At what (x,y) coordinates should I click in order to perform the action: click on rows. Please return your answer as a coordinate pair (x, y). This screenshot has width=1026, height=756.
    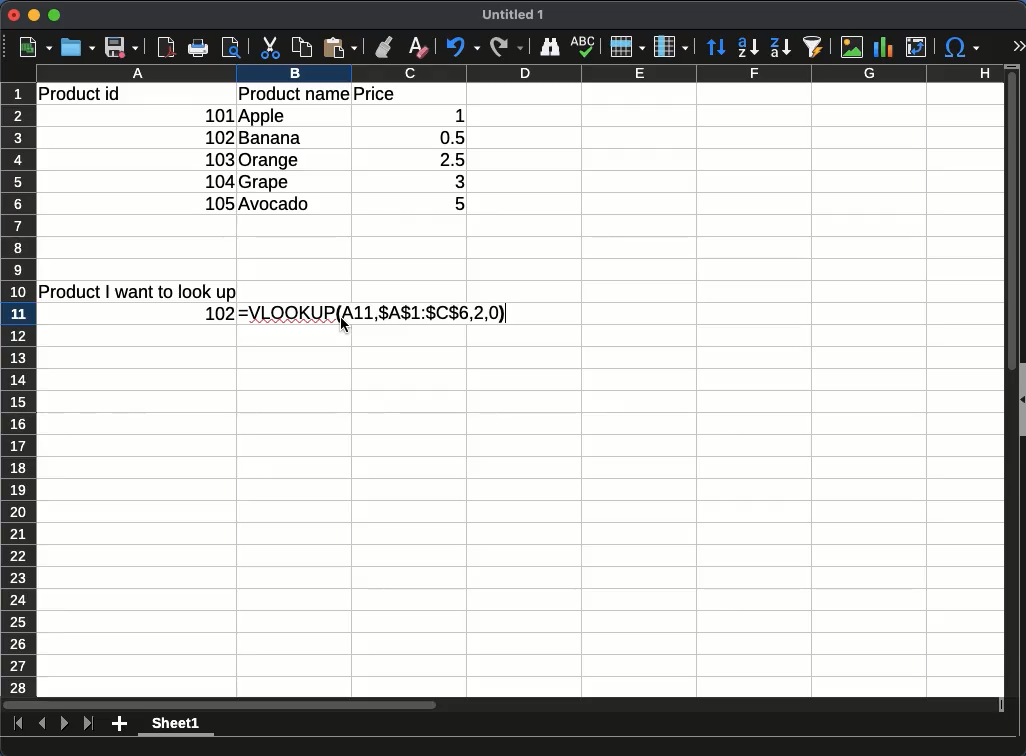
    Looking at the image, I should click on (628, 46).